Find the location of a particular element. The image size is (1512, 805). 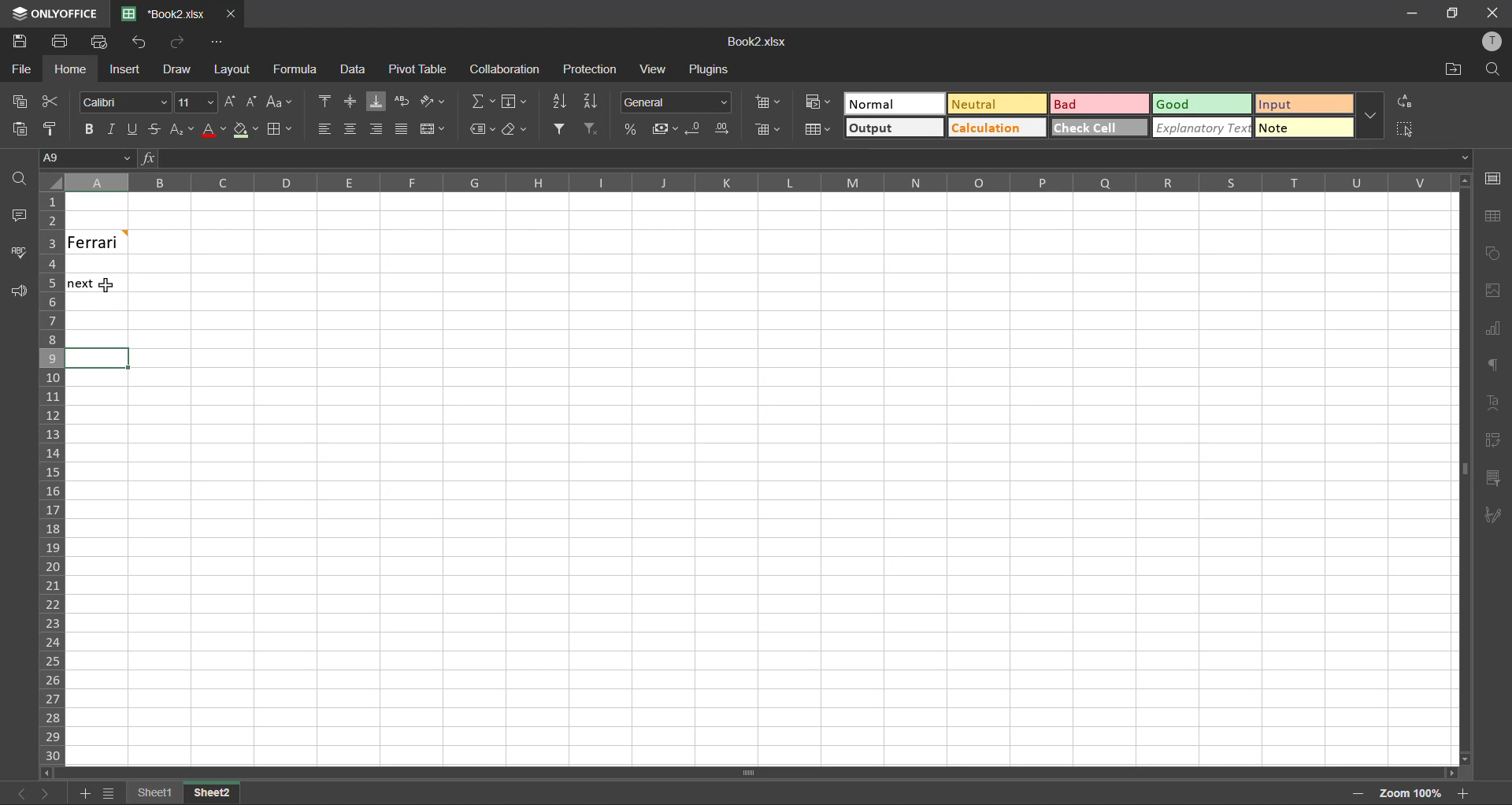

merge and center is located at coordinates (432, 129).